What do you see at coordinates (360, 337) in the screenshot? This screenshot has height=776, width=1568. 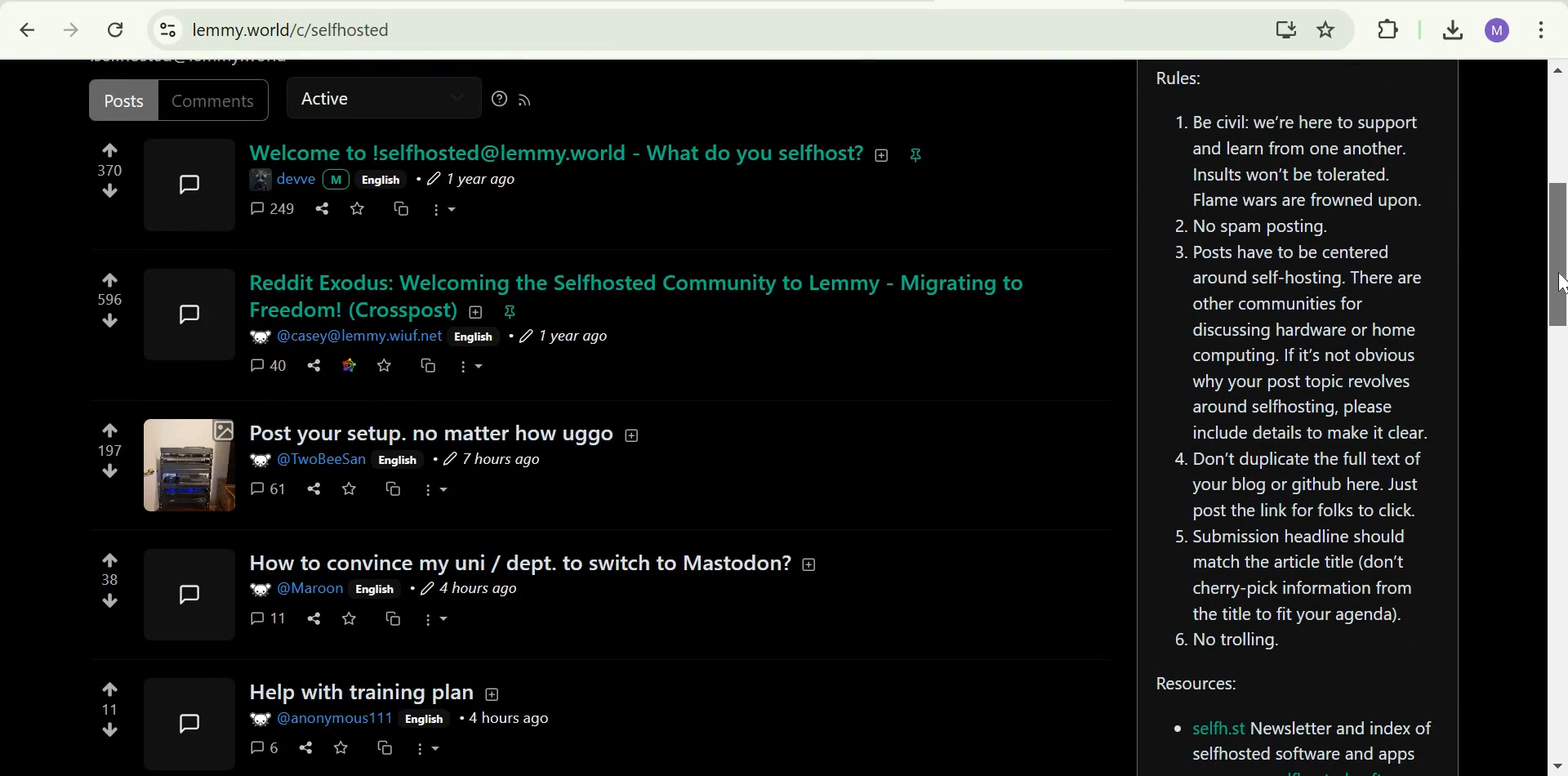 I see `user ID` at bounding box center [360, 337].